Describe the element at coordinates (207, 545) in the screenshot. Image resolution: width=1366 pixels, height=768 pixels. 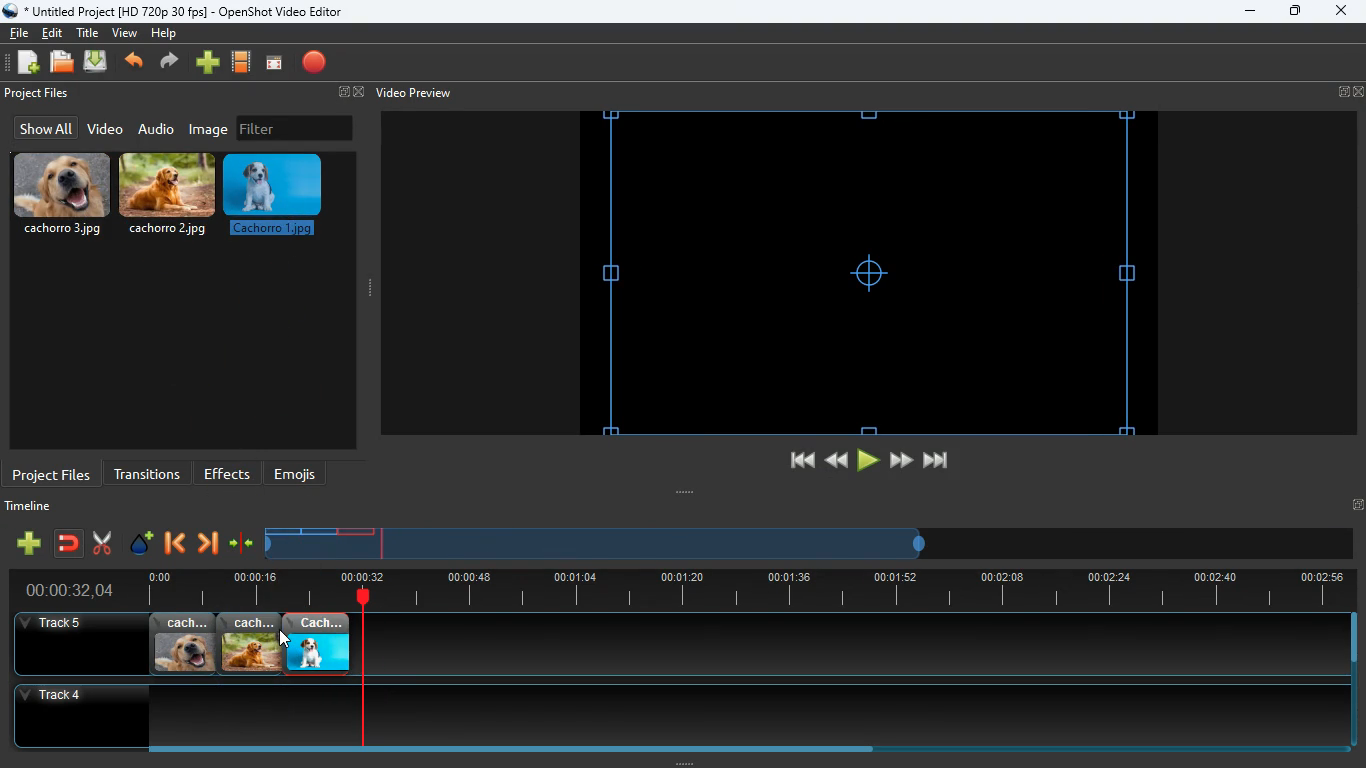
I see `forward` at that location.